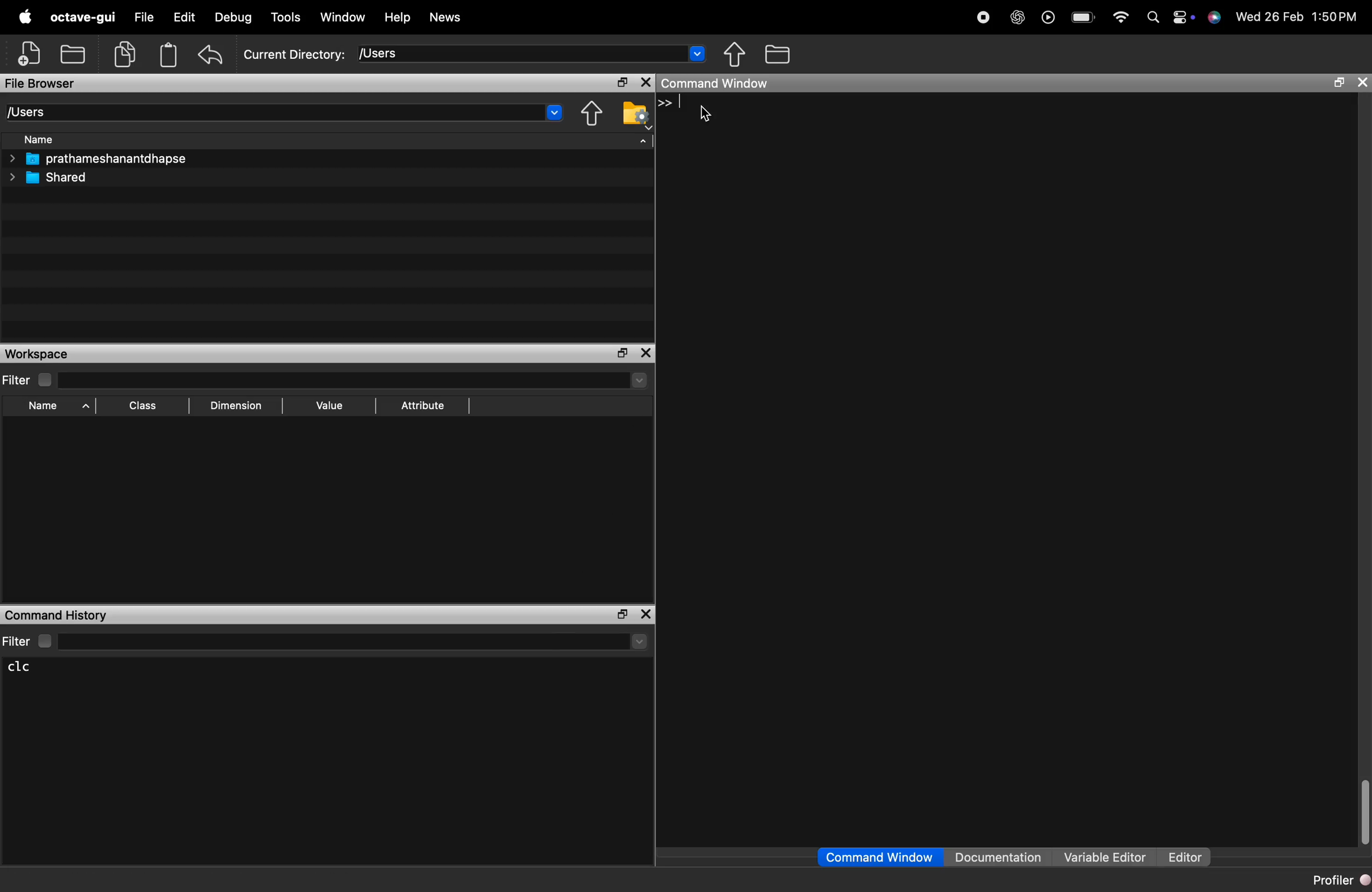  Describe the element at coordinates (707, 116) in the screenshot. I see `Cursor` at that location.